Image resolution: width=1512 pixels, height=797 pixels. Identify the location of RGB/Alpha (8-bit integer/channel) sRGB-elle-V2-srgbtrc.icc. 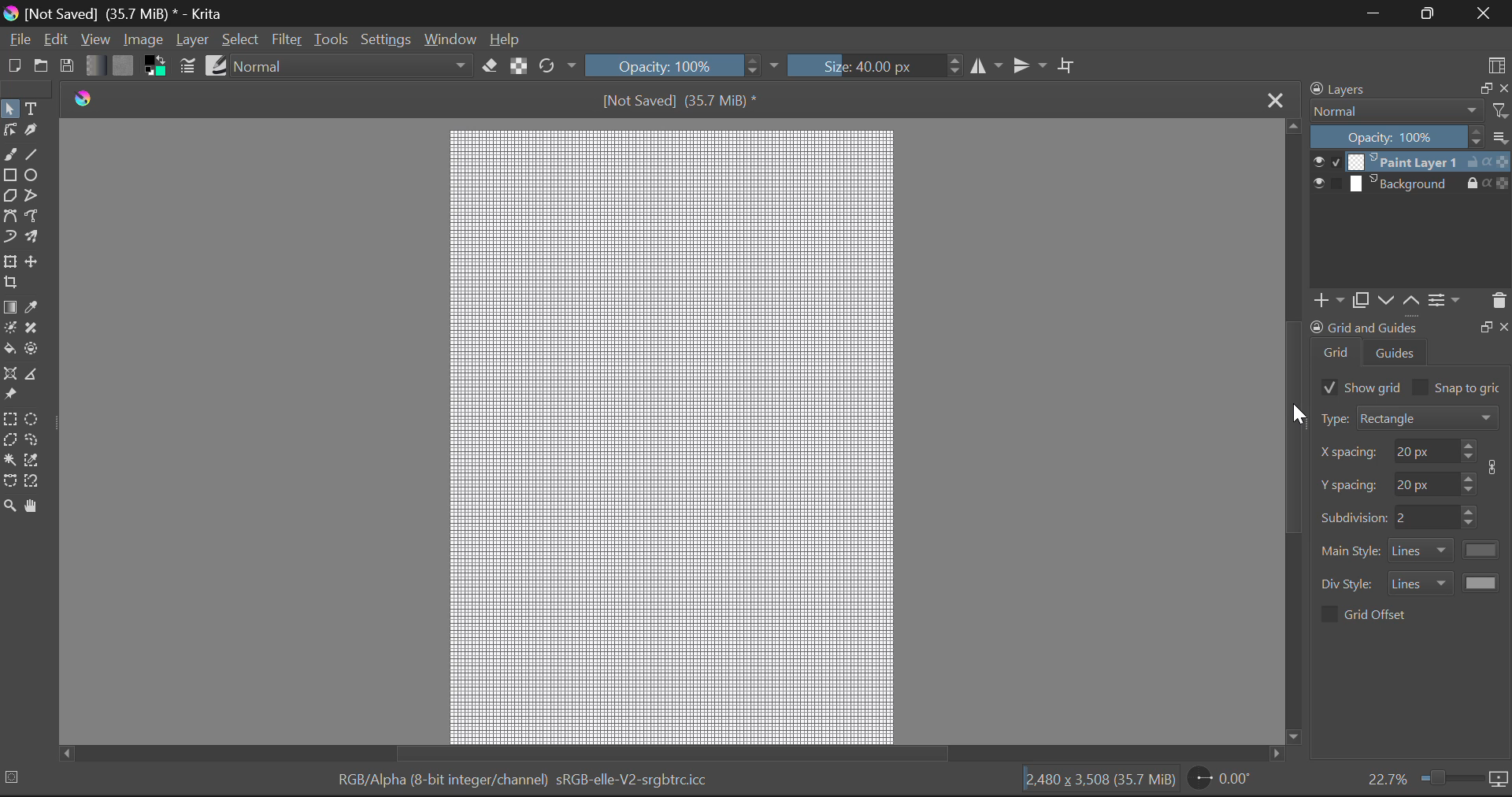
(521, 783).